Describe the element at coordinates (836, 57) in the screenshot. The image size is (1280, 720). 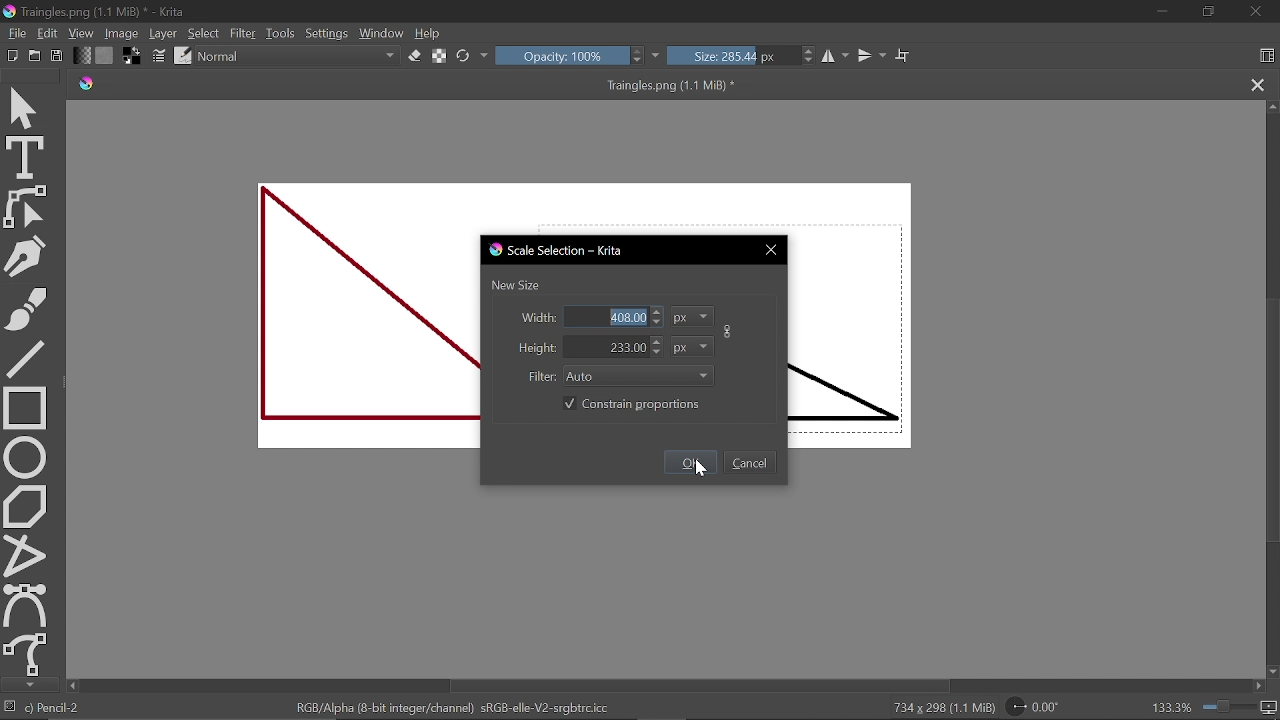
I see `Horizontal mirror tool` at that location.